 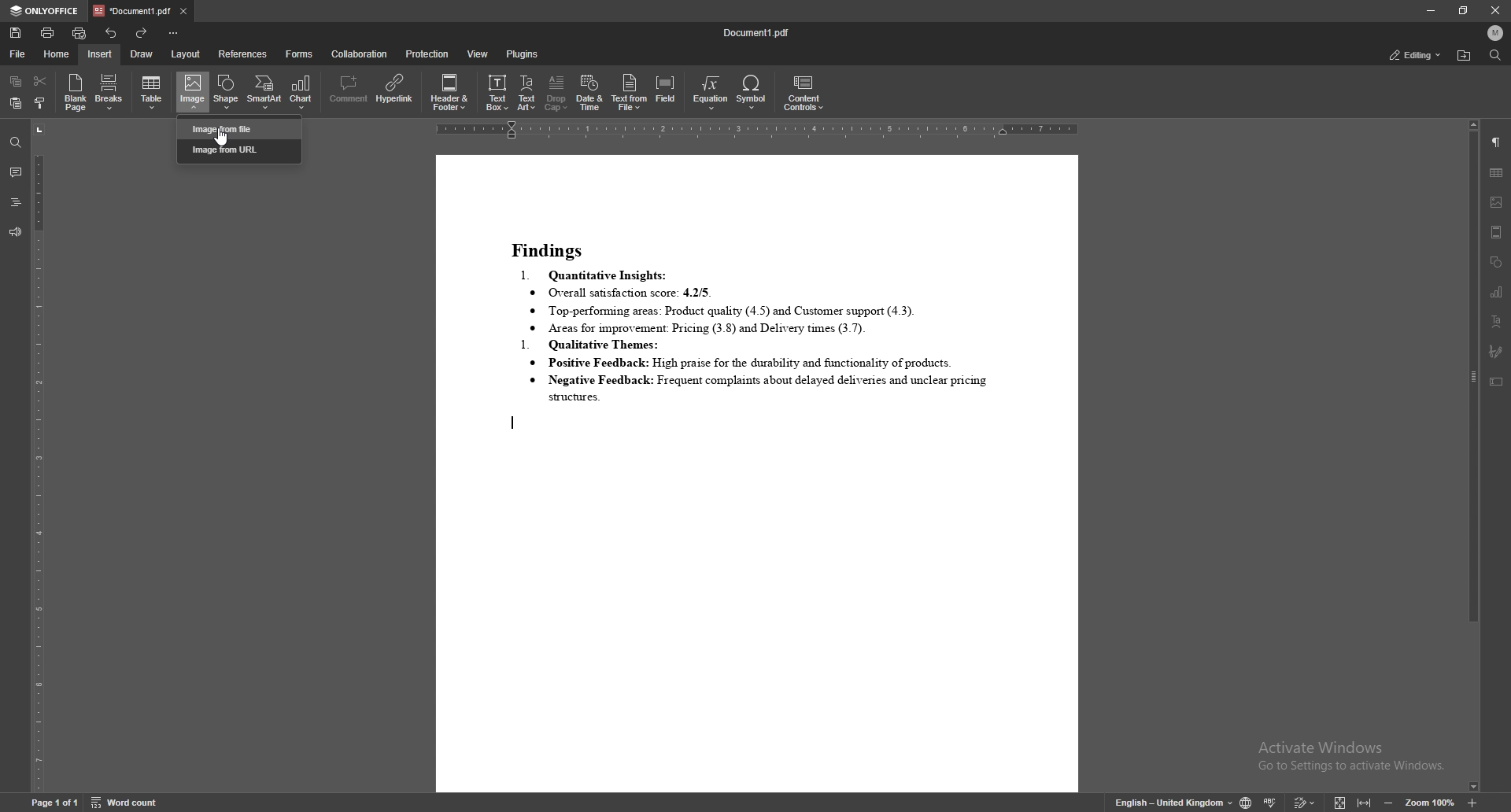 What do you see at coordinates (243, 54) in the screenshot?
I see `references` at bounding box center [243, 54].